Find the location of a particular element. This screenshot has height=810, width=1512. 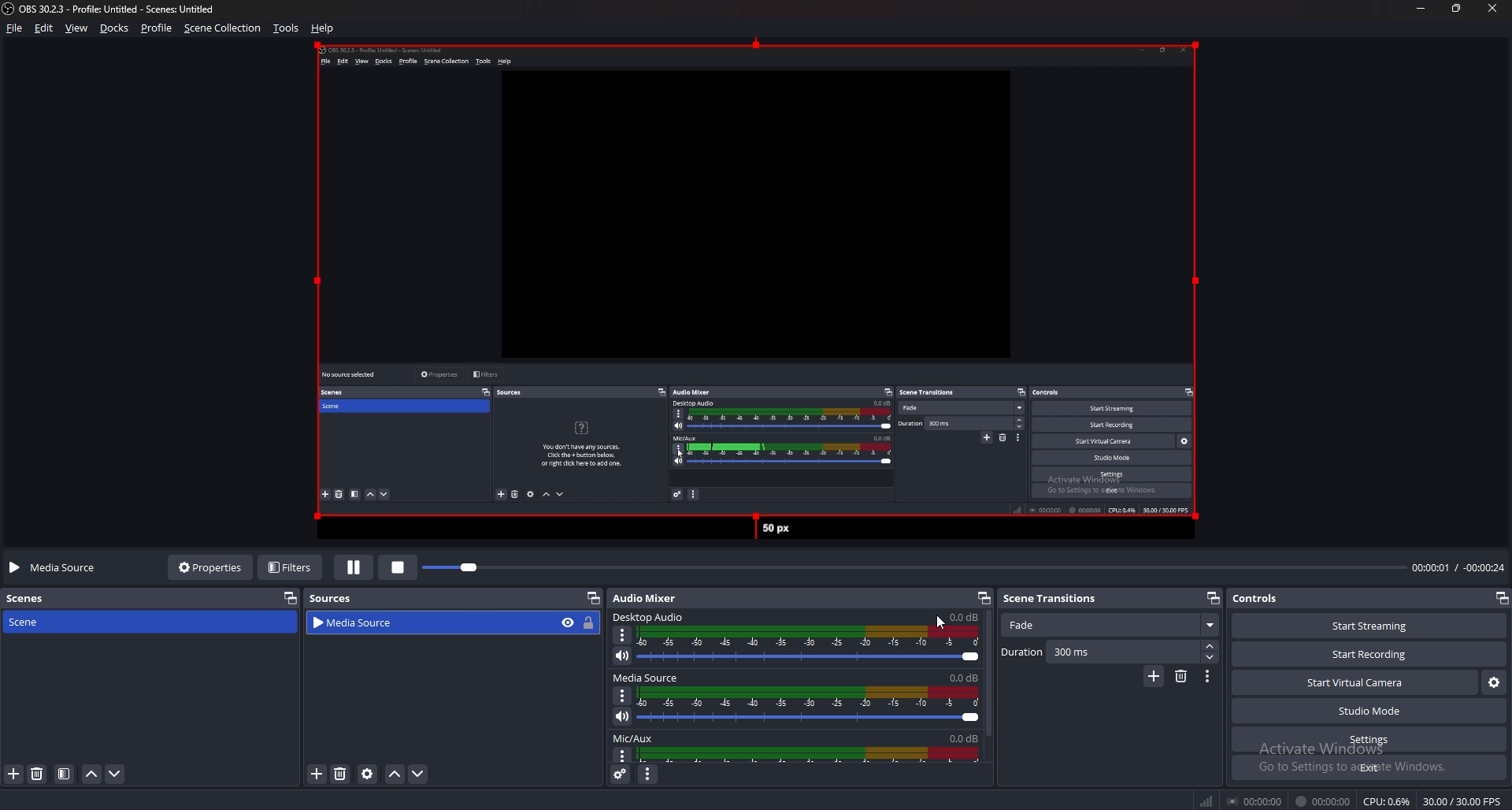

pop out is located at coordinates (287, 597).